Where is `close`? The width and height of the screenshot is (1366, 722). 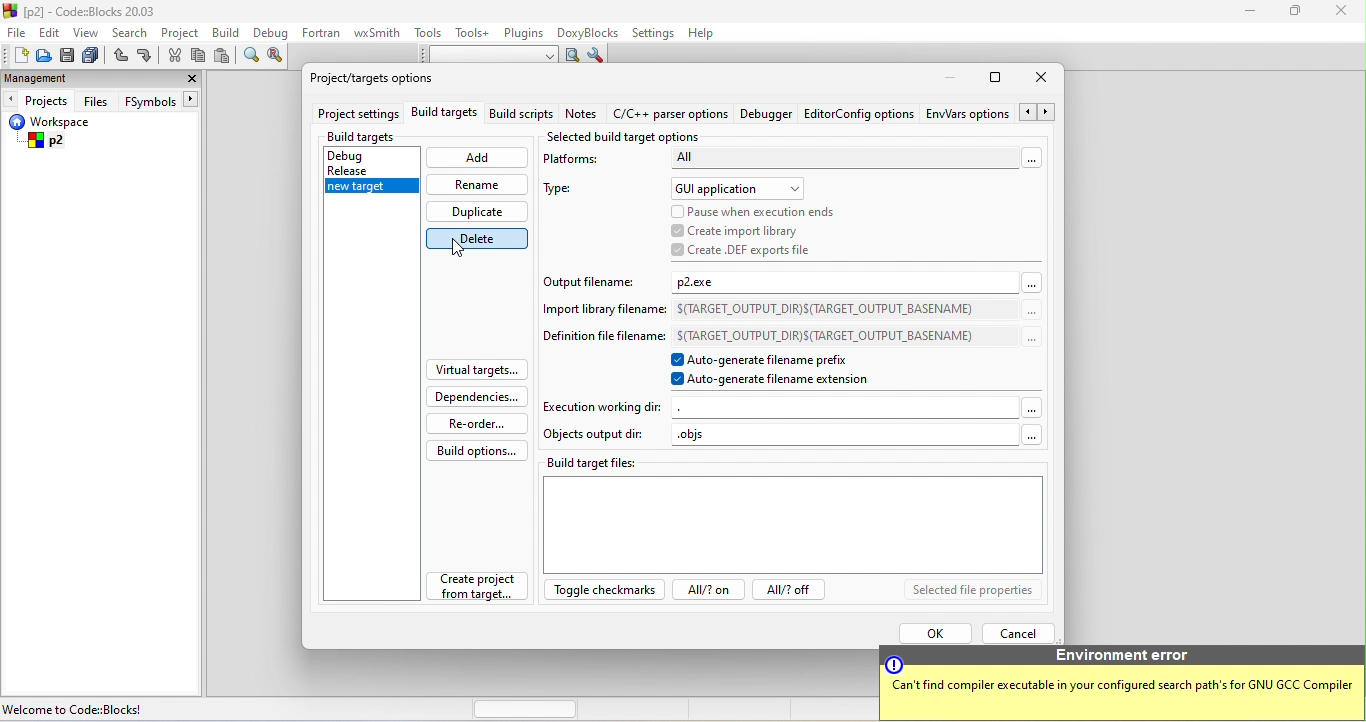 close is located at coordinates (1044, 80).